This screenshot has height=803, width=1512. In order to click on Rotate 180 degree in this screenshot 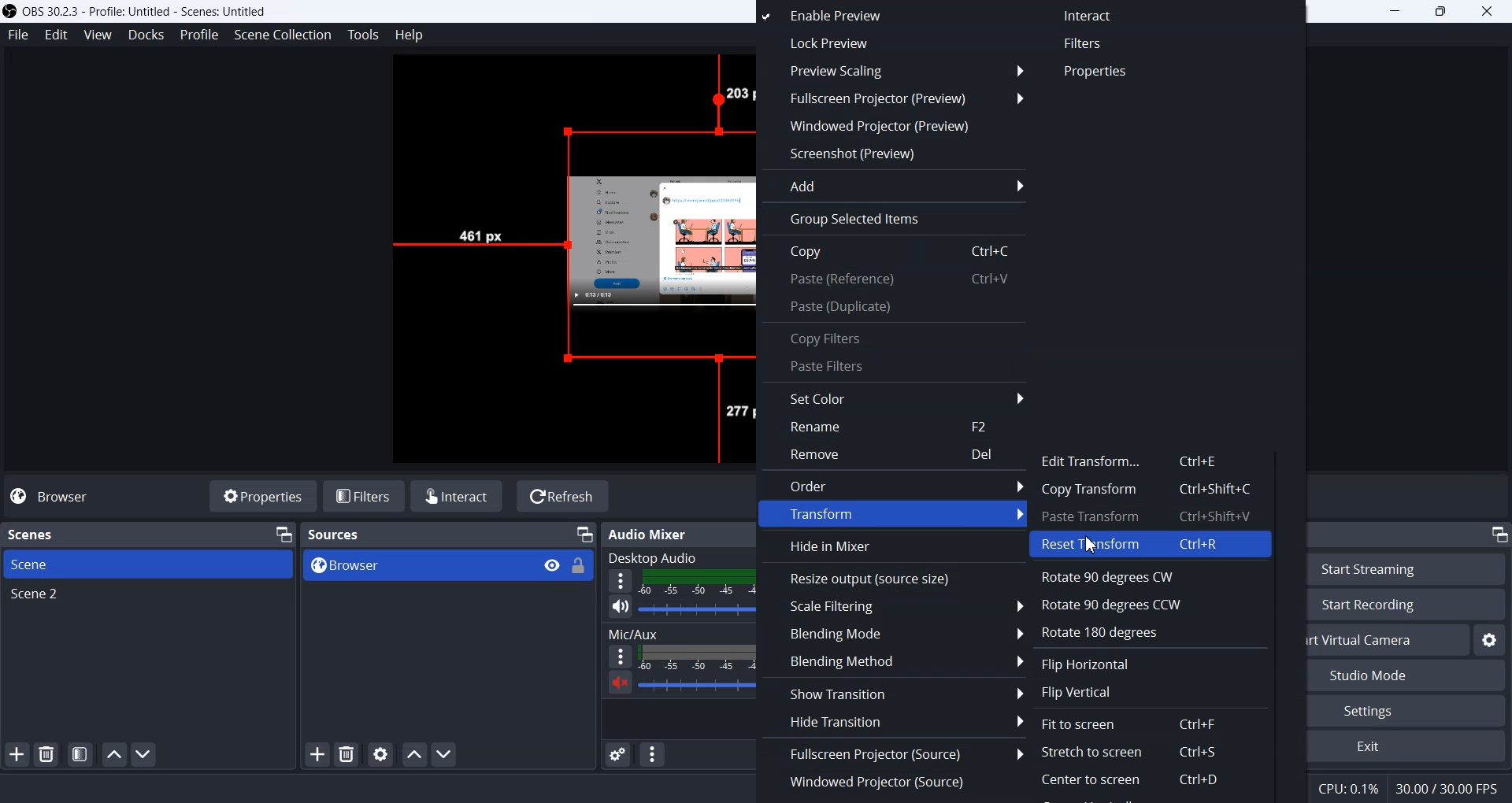, I will do `click(1099, 631)`.